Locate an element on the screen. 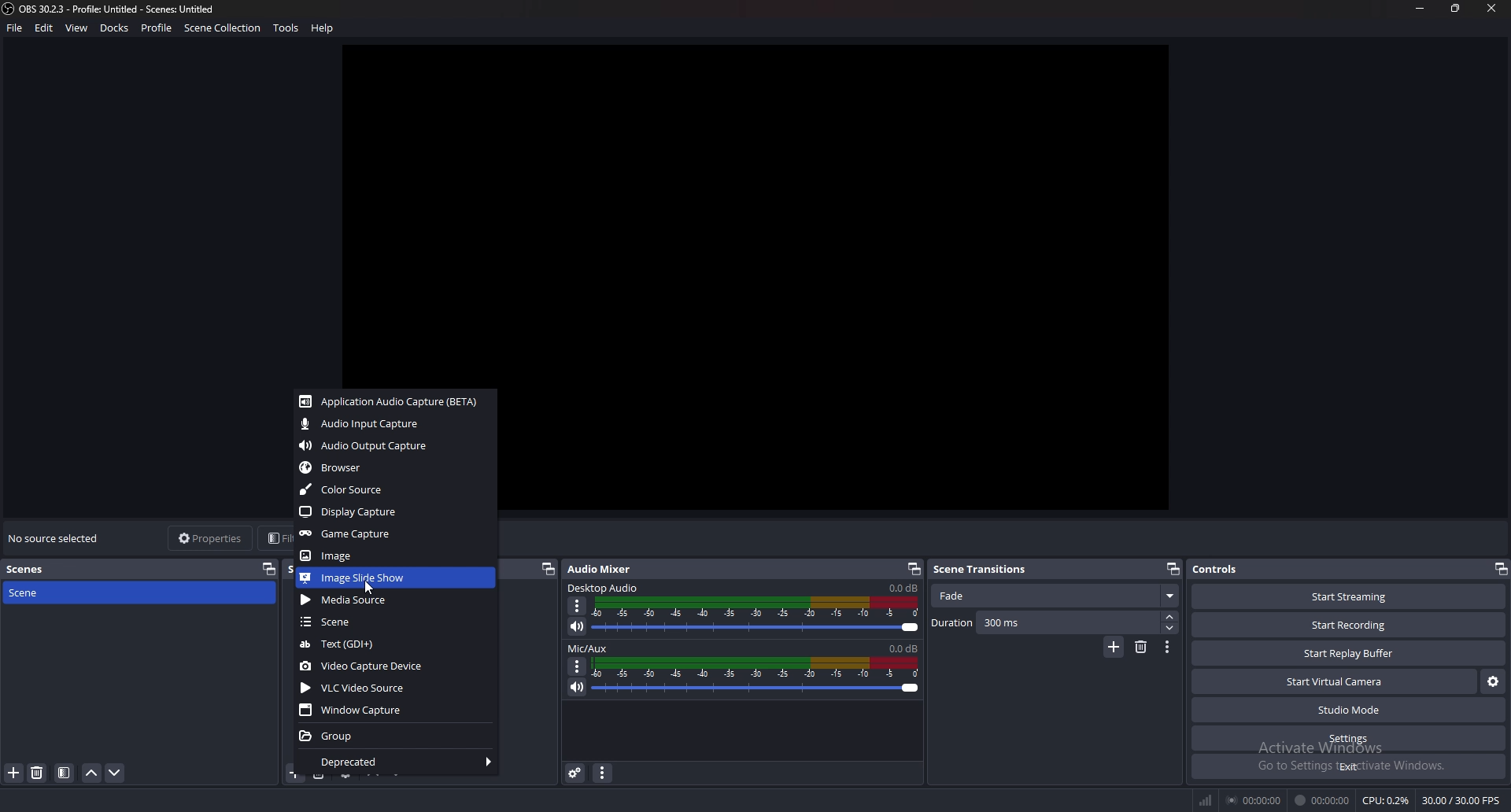 The height and width of the screenshot is (812, 1511). properties is located at coordinates (211, 539).